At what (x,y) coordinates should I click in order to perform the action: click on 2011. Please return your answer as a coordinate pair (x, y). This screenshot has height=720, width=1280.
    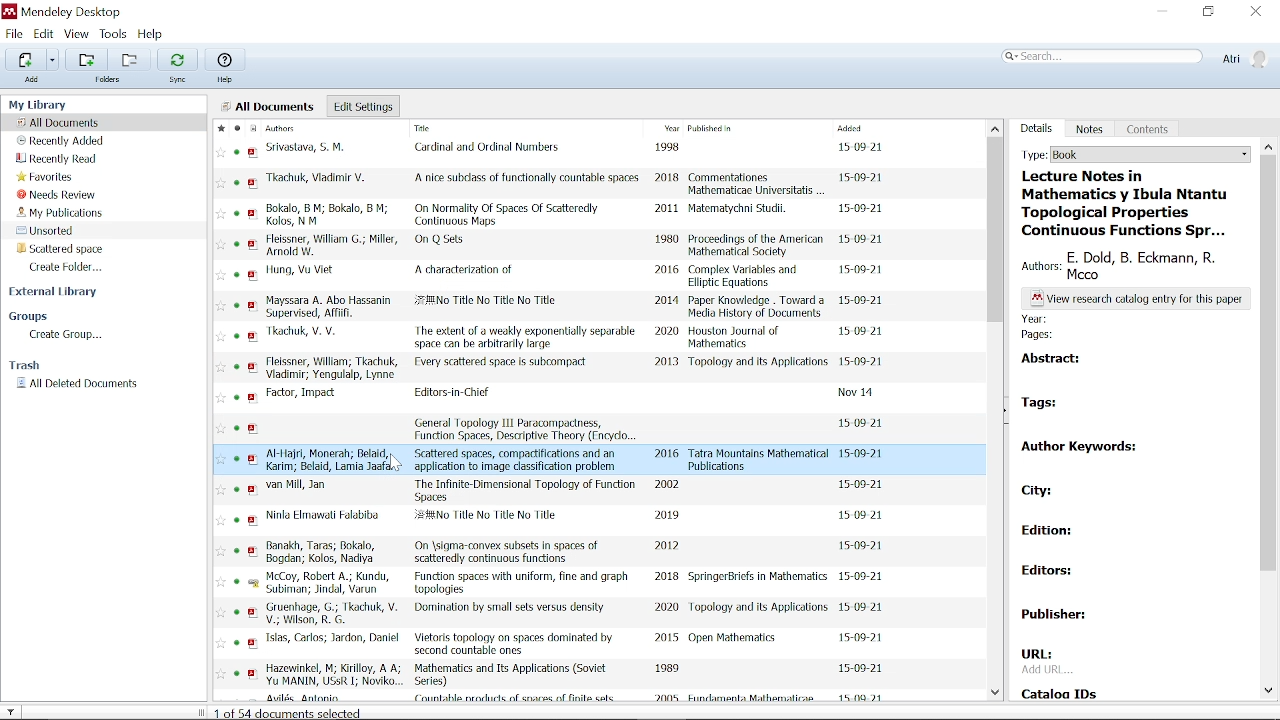
    Looking at the image, I should click on (666, 208).